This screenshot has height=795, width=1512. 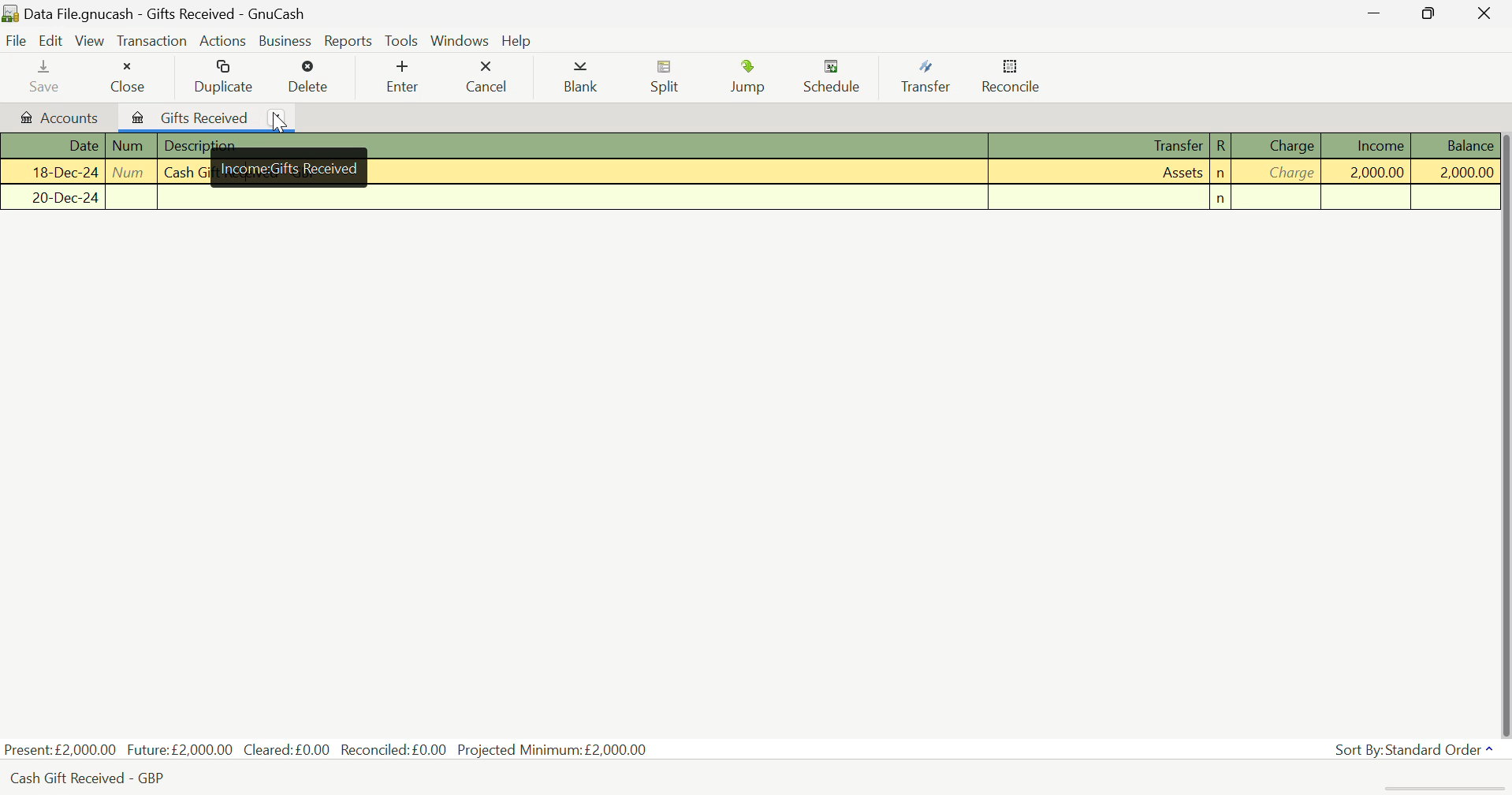 I want to click on Transaction, so click(x=151, y=39).